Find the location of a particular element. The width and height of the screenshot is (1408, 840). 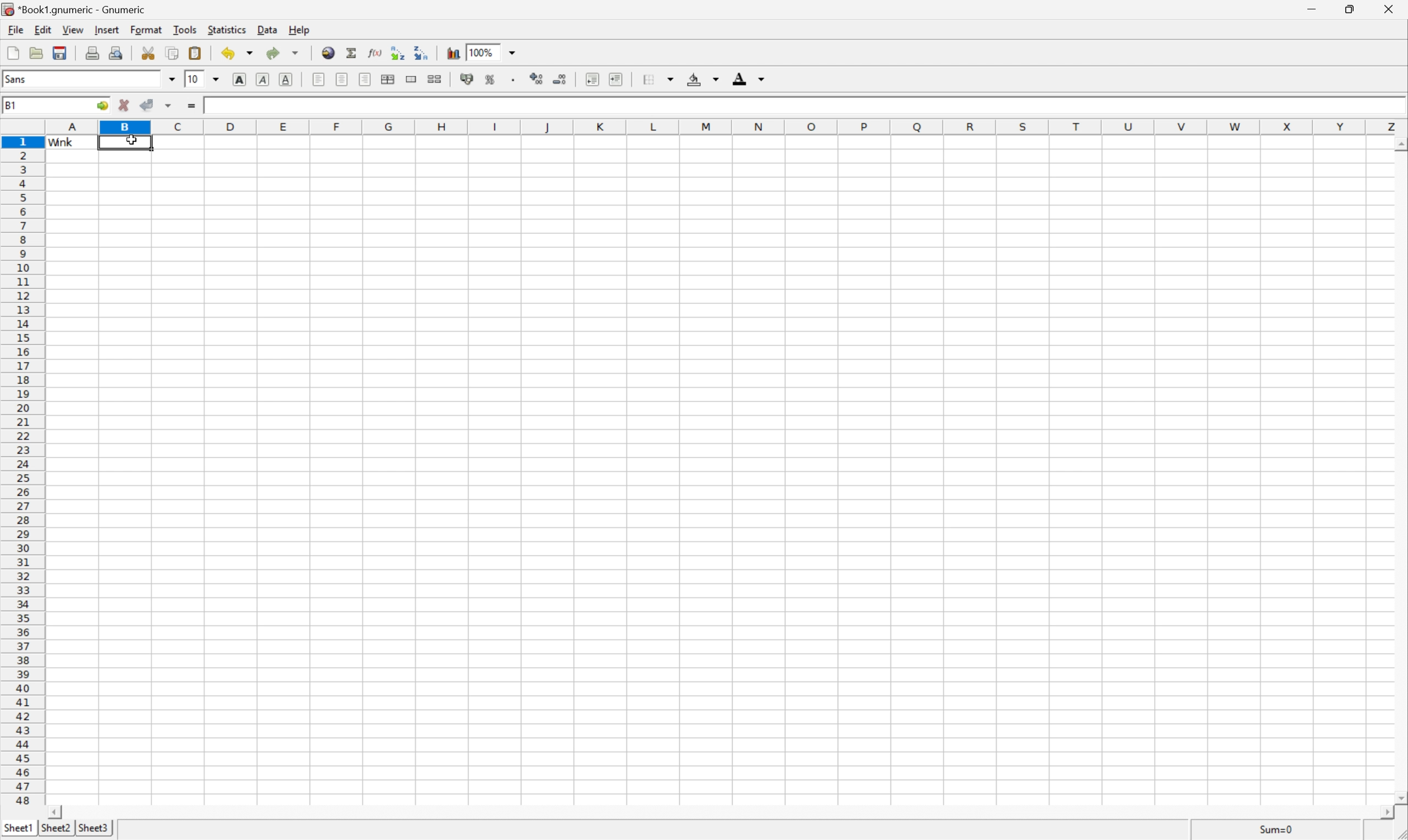

paste is located at coordinates (196, 53).